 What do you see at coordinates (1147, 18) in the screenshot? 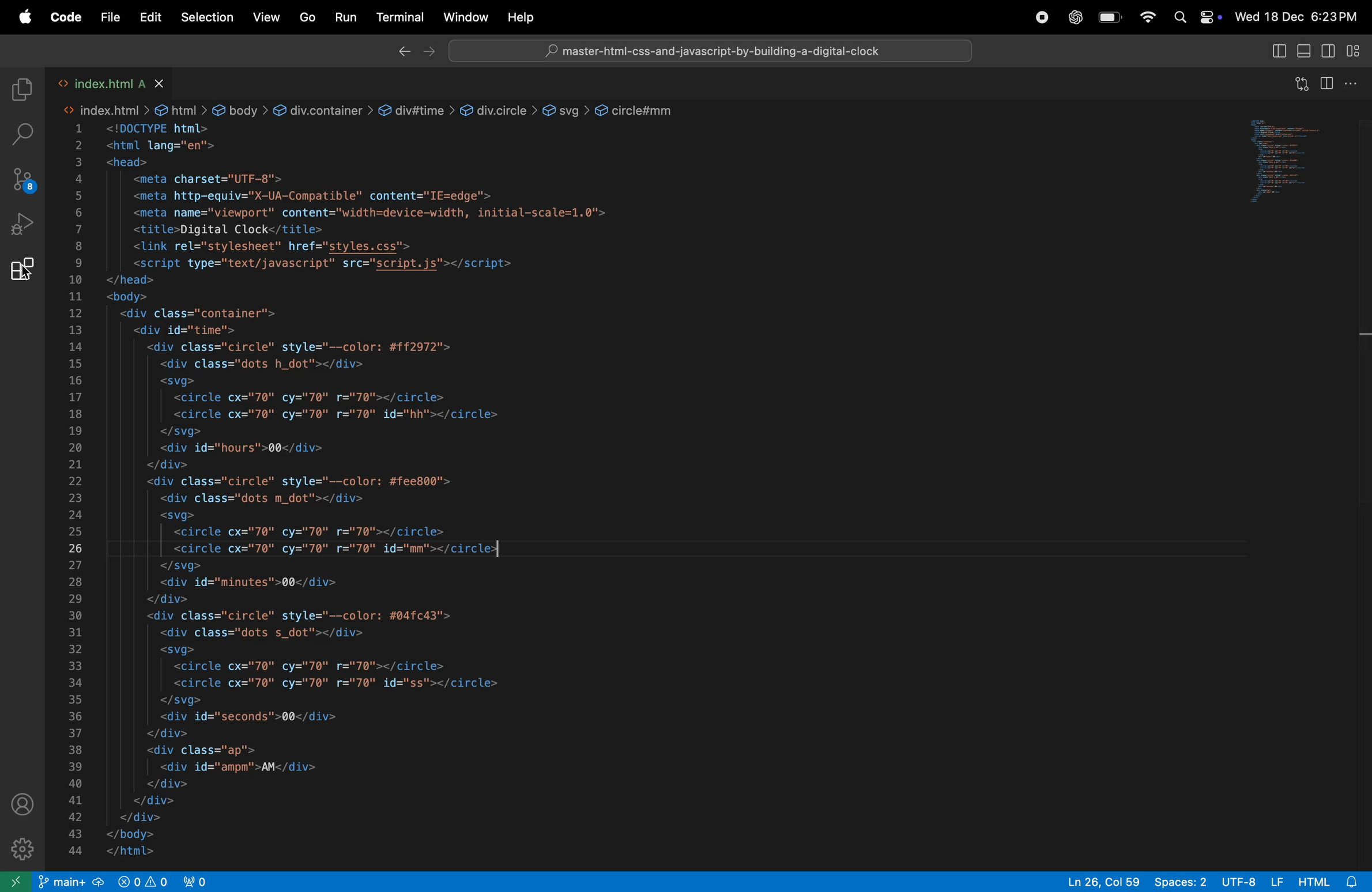
I see `wifi` at bounding box center [1147, 18].